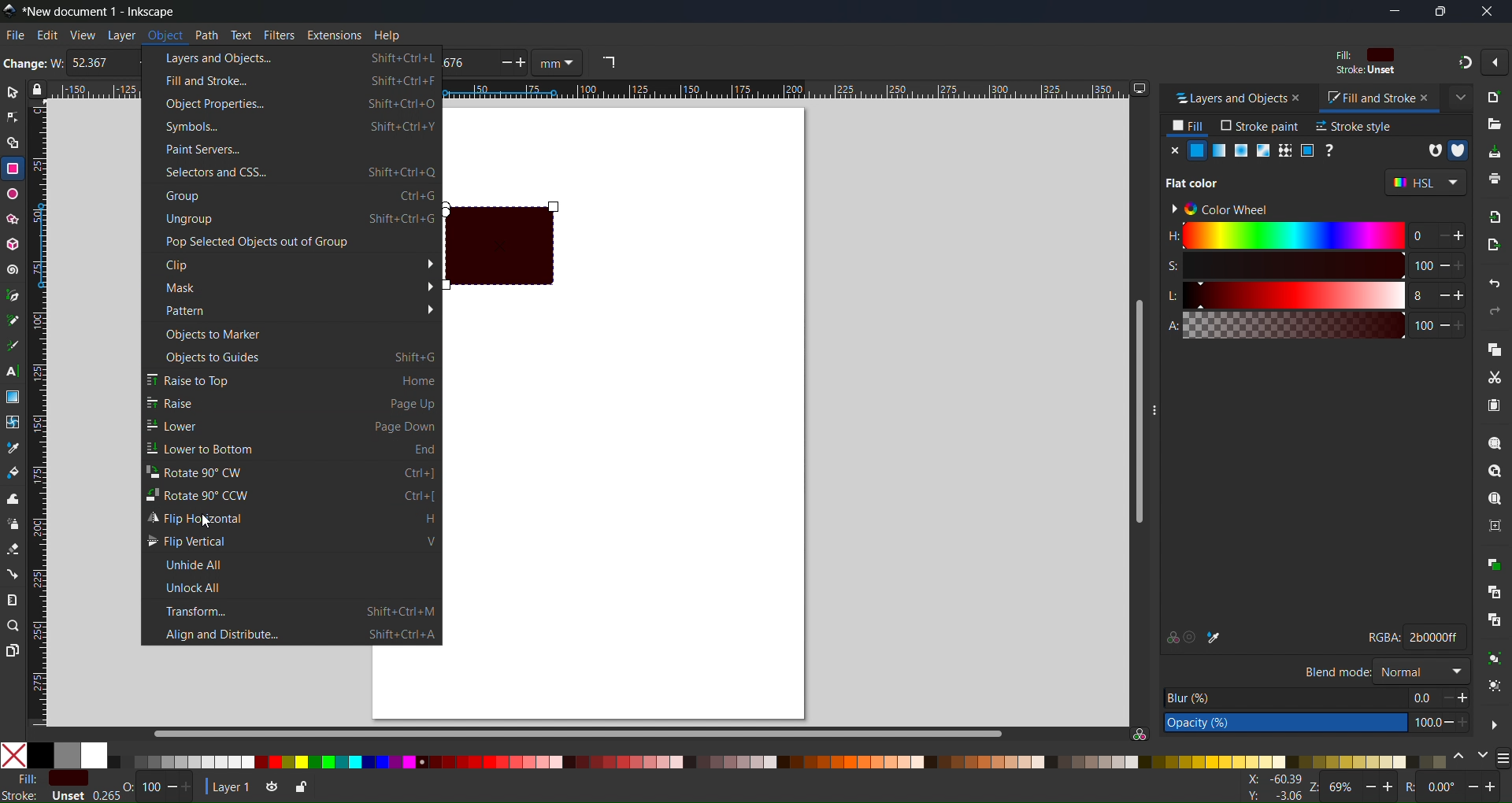  Describe the element at coordinates (1459, 758) in the screenshot. I see `Change color bar` at that location.